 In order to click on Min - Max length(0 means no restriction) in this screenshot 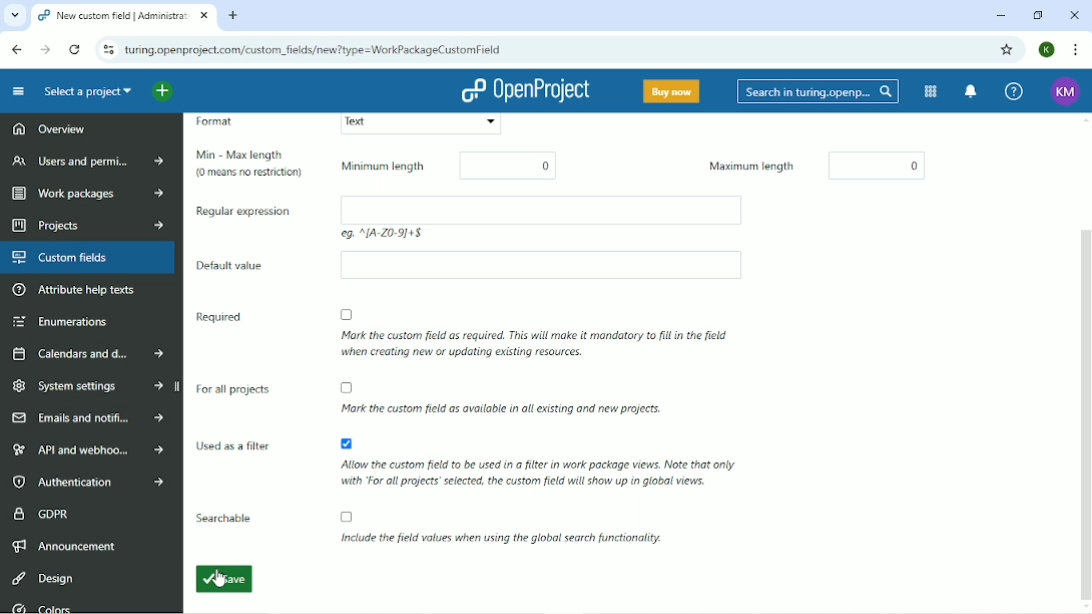, I will do `click(252, 164)`.